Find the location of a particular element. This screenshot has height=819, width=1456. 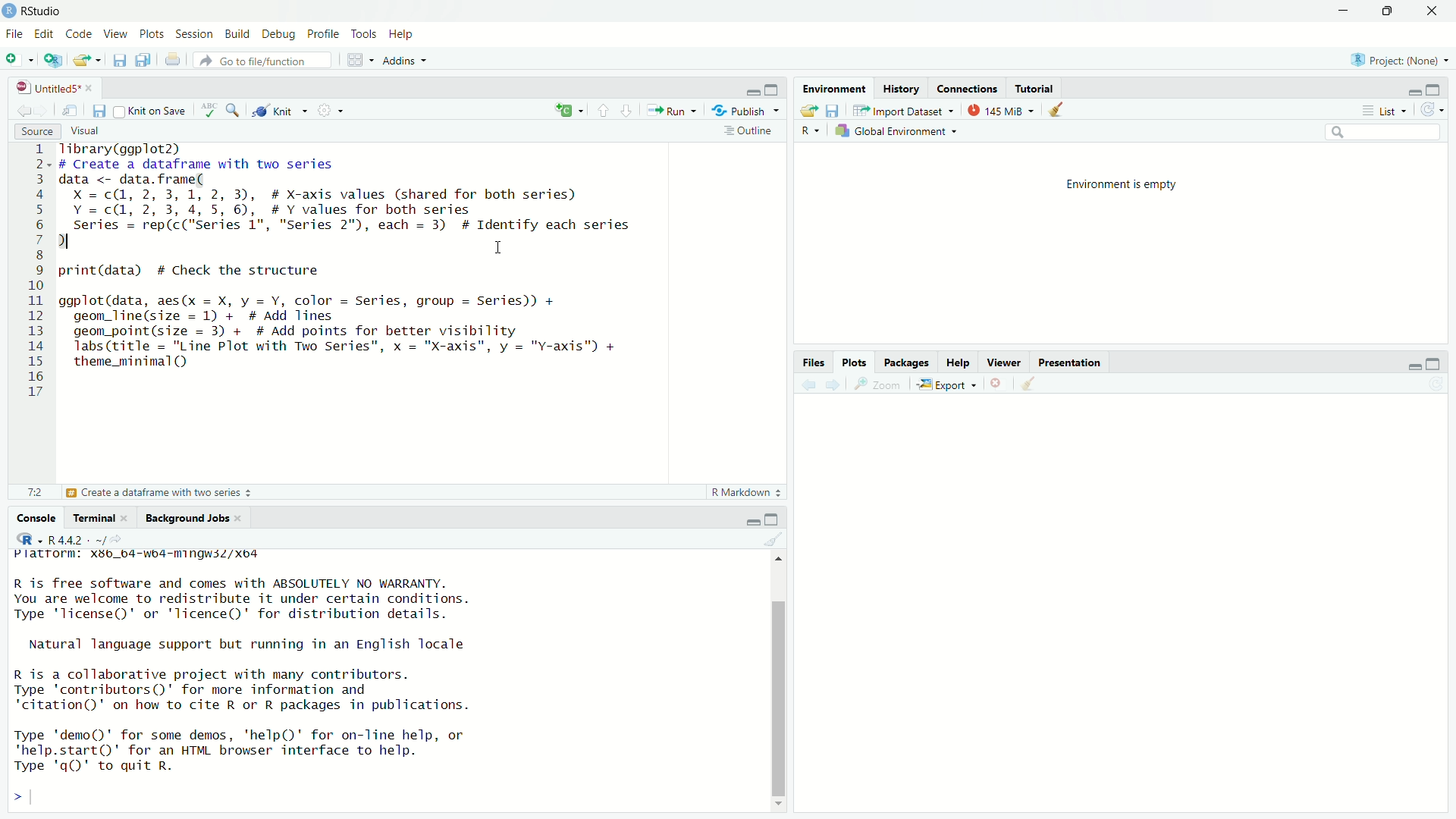

Build is located at coordinates (237, 36).